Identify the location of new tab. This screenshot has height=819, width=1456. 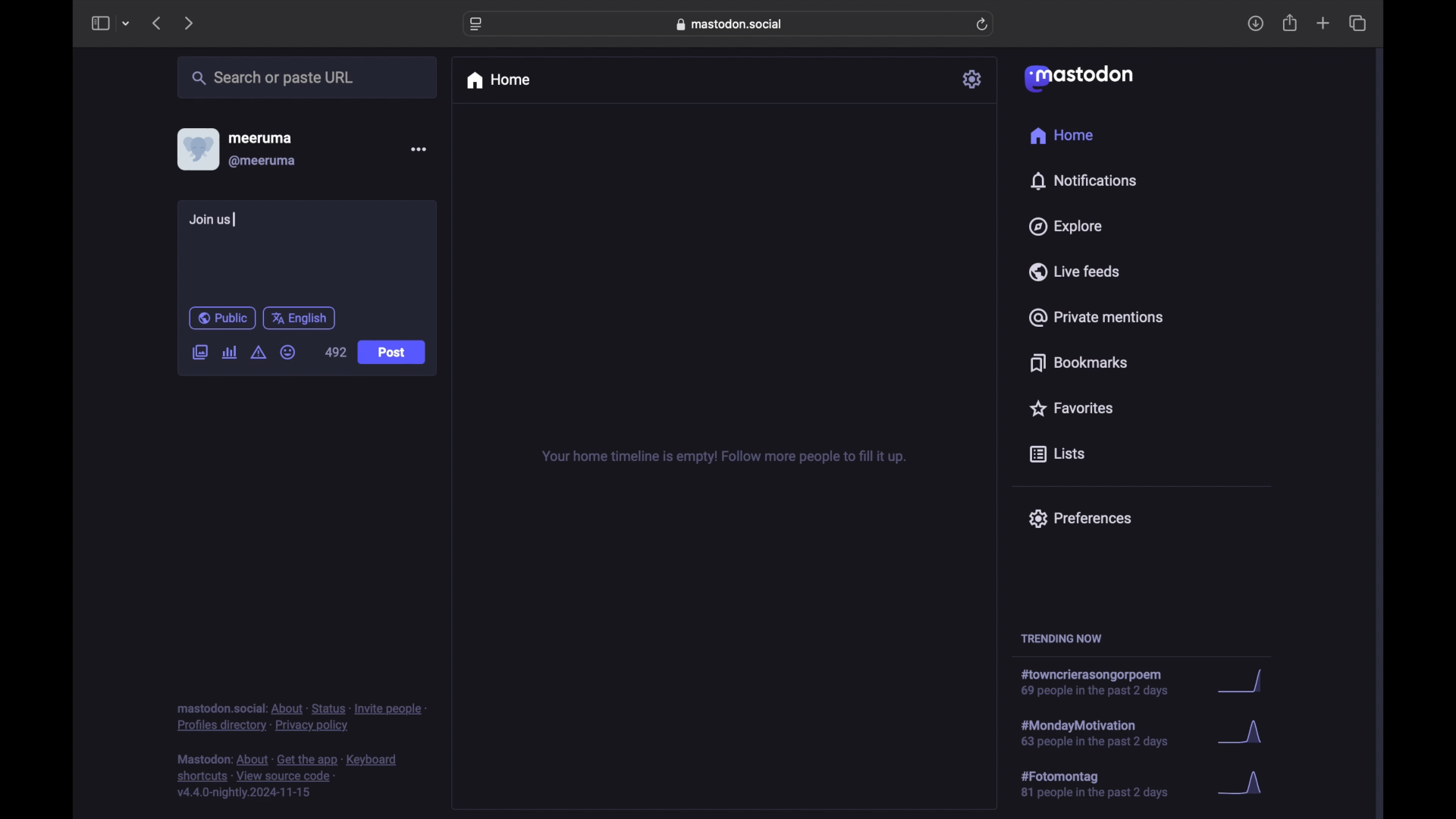
(1323, 23).